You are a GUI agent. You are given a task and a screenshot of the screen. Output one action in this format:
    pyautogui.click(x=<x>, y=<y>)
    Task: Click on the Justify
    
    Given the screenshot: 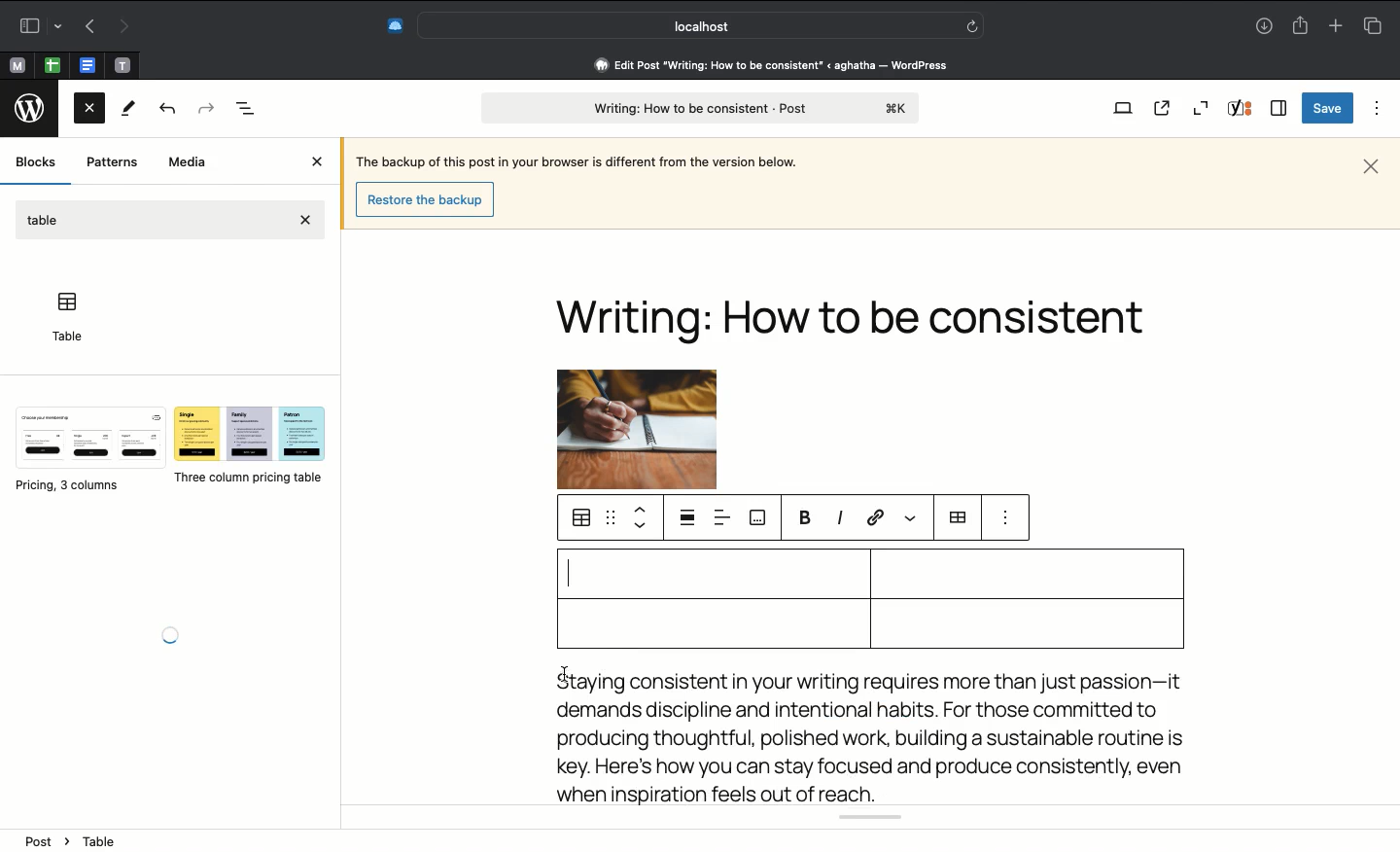 What is the action you would take?
    pyautogui.click(x=688, y=519)
    